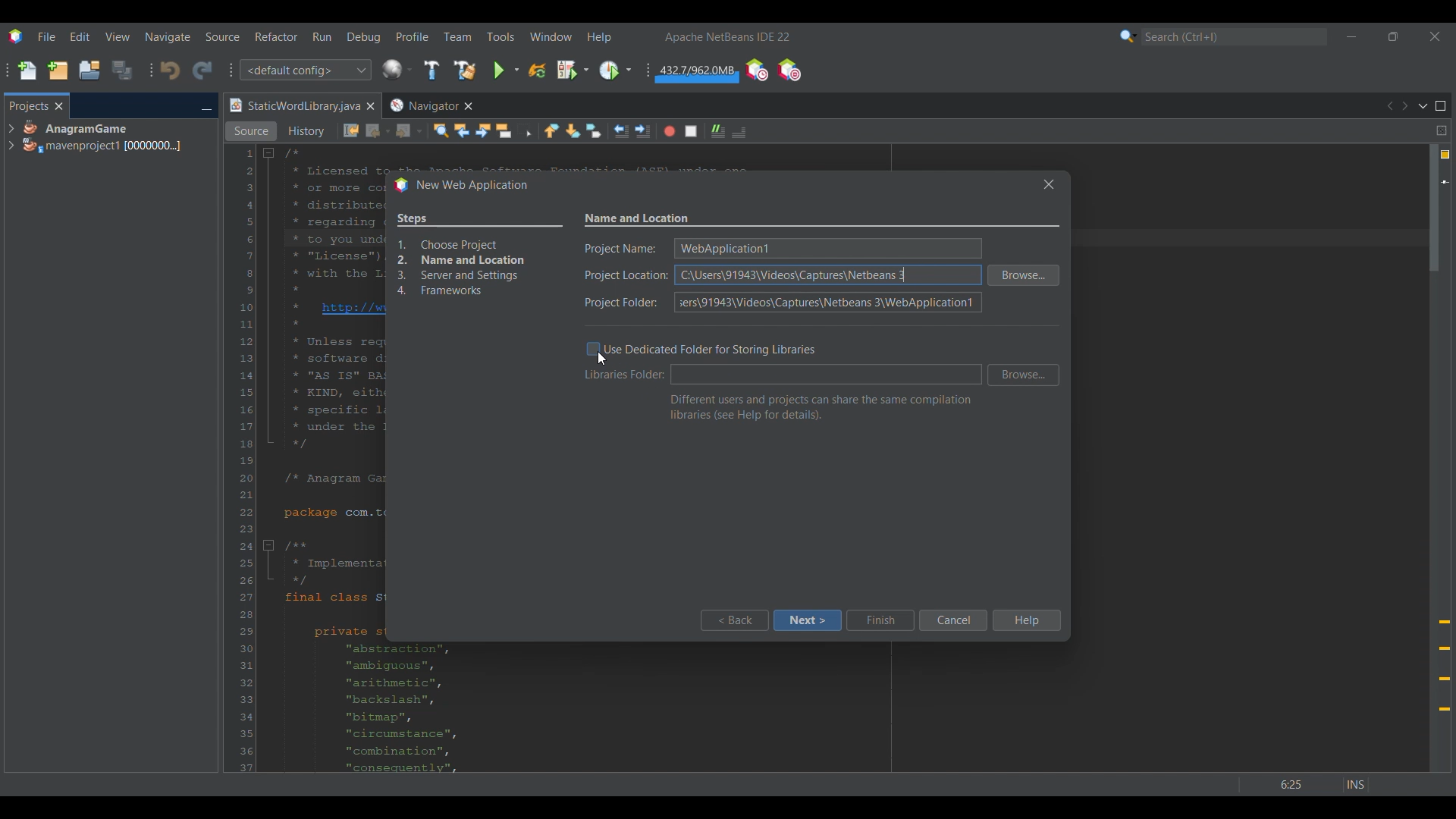 Image resolution: width=1456 pixels, height=819 pixels. What do you see at coordinates (431, 70) in the screenshot?
I see `Build main project` at bounding box center [431, 70].